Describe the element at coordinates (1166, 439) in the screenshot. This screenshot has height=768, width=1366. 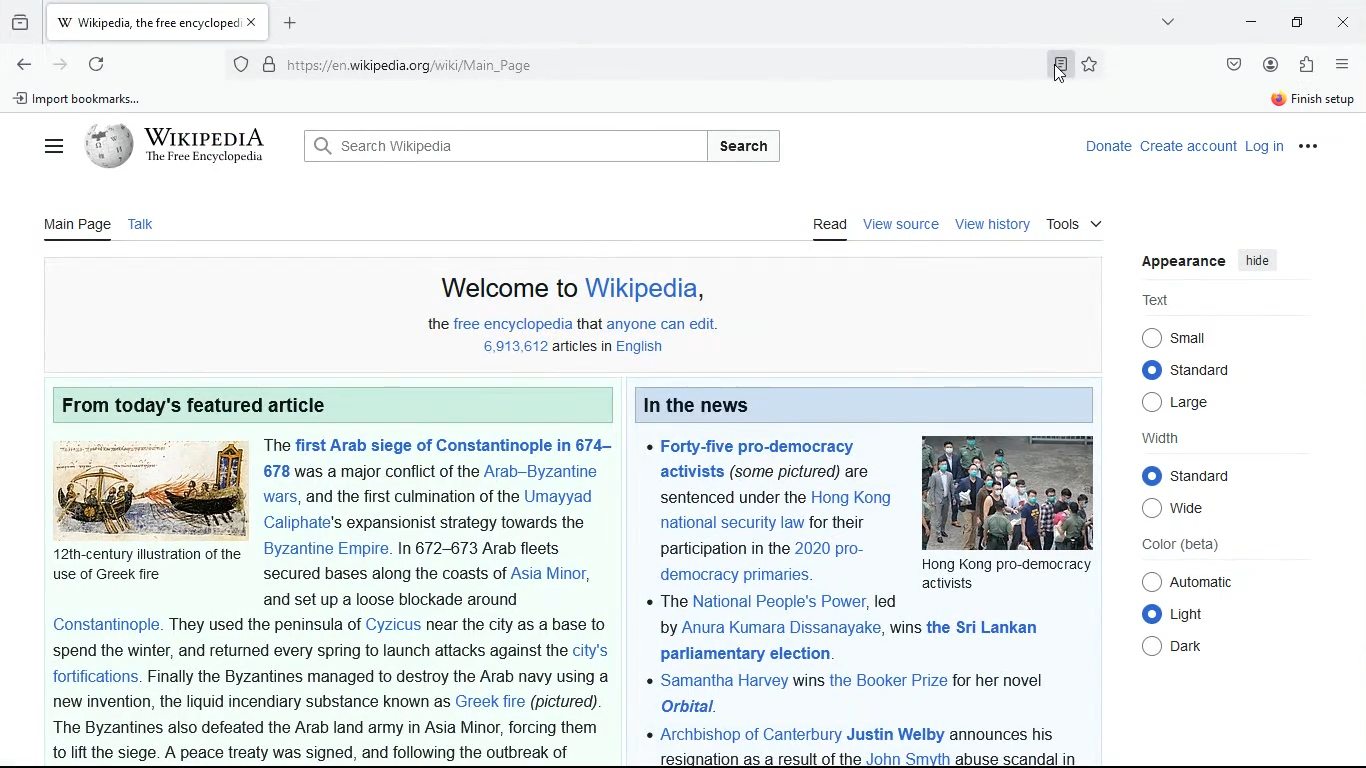
I see `width` at that location.